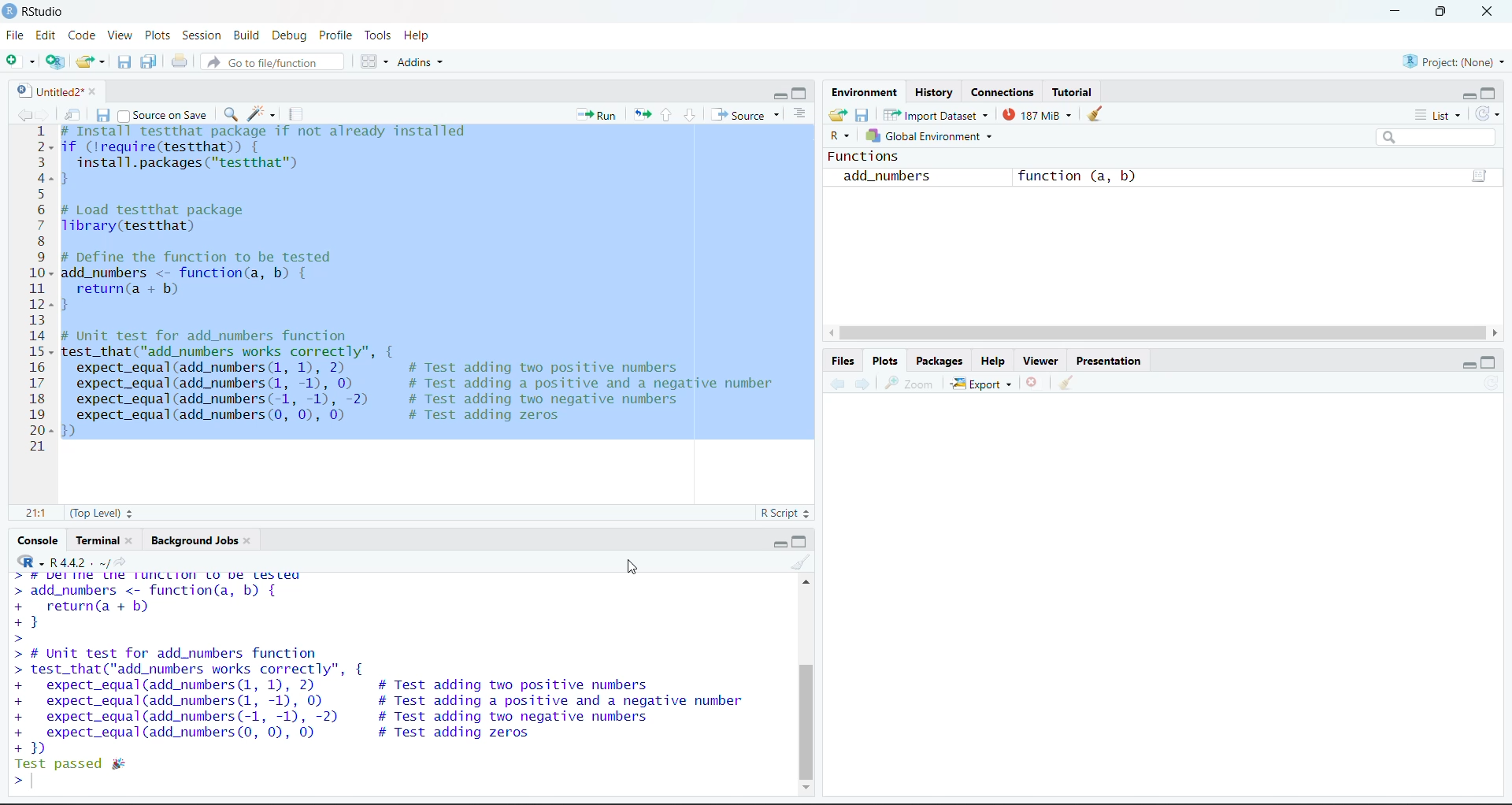 The image size is (1512, 805). I want to click on List, so click(1438, 115).